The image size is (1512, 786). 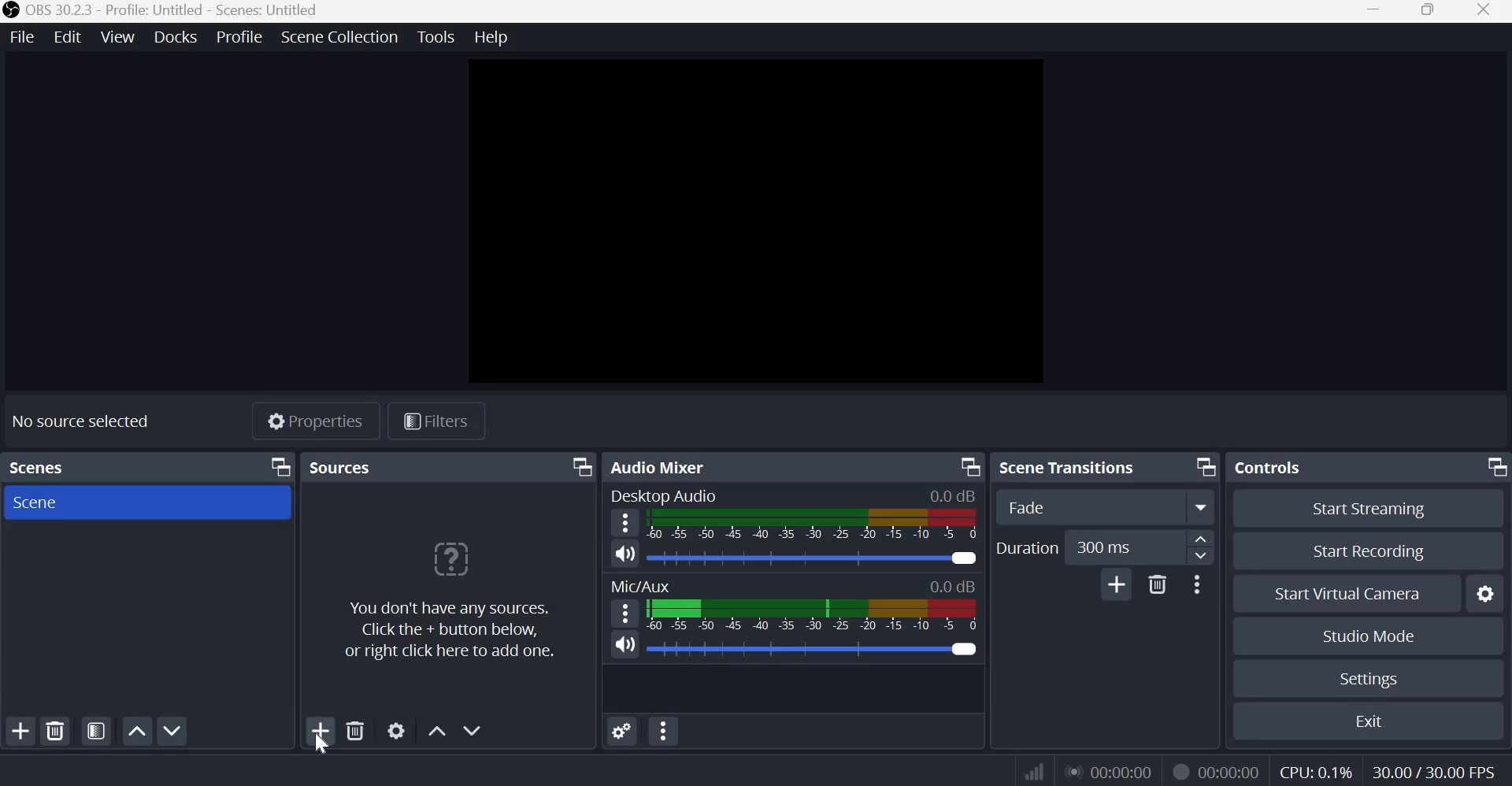 I want to click on Audio mixer menu, so click(x=663, y=731).